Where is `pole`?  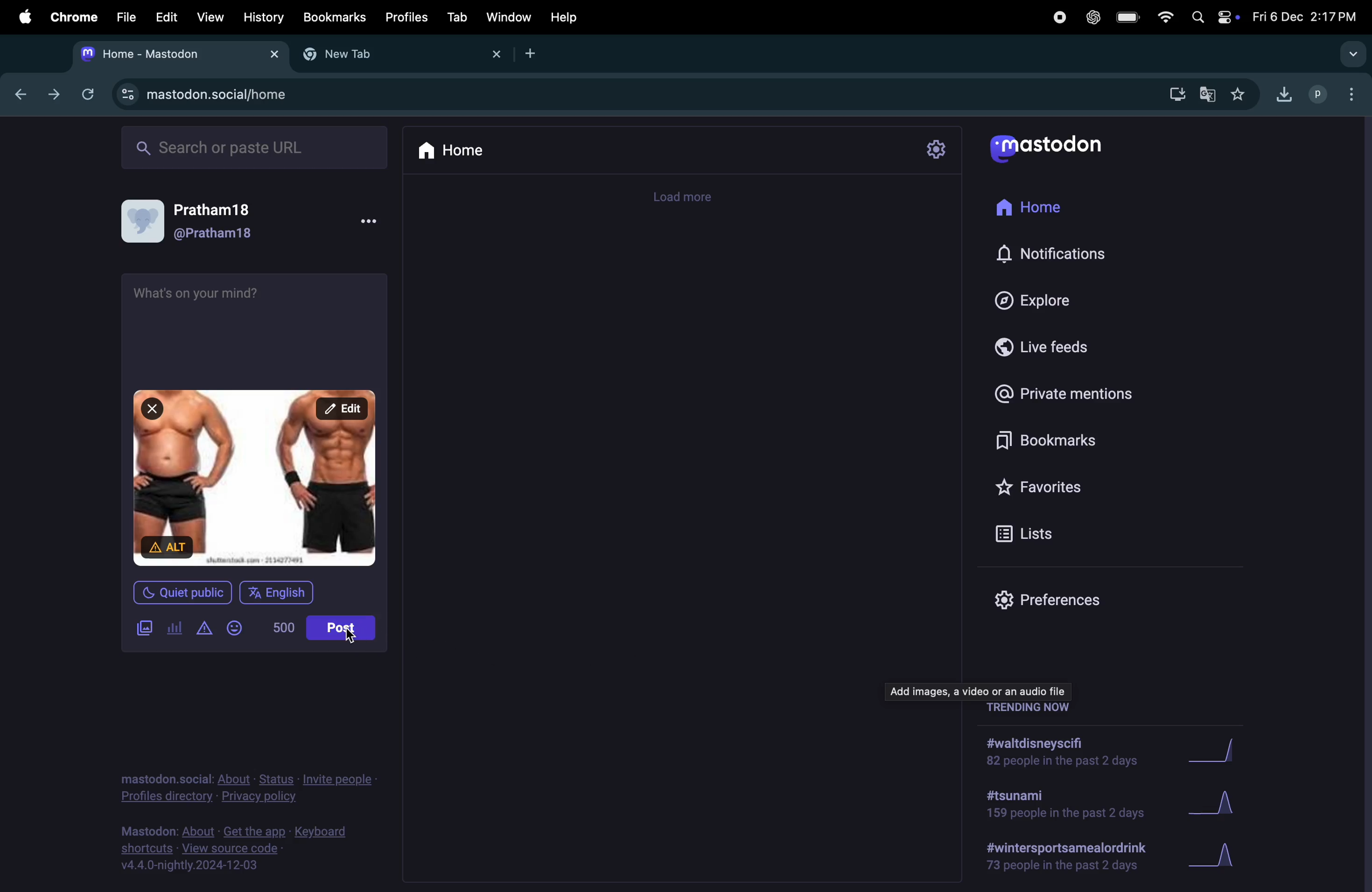
pole is located at coordinates (174, 629).